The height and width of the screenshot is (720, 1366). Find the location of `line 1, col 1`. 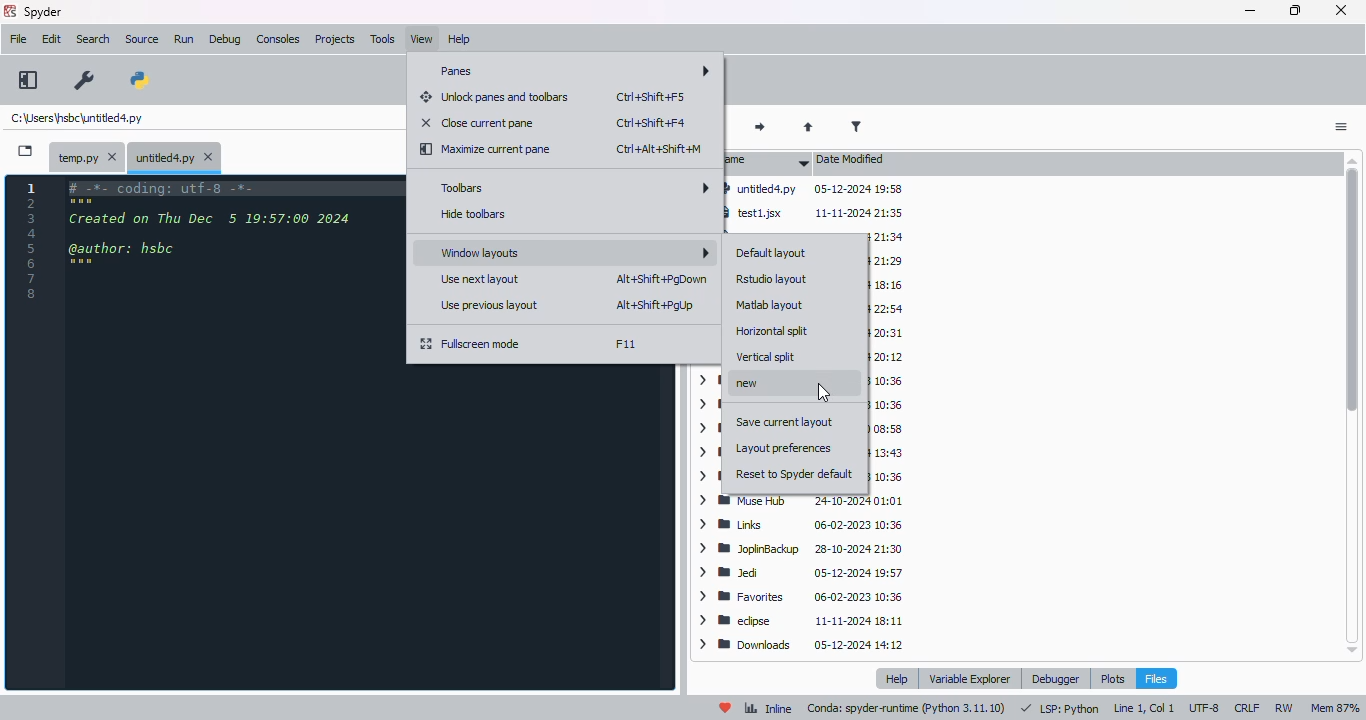

line 1, col 1 is located at coordinates (1144, 708).